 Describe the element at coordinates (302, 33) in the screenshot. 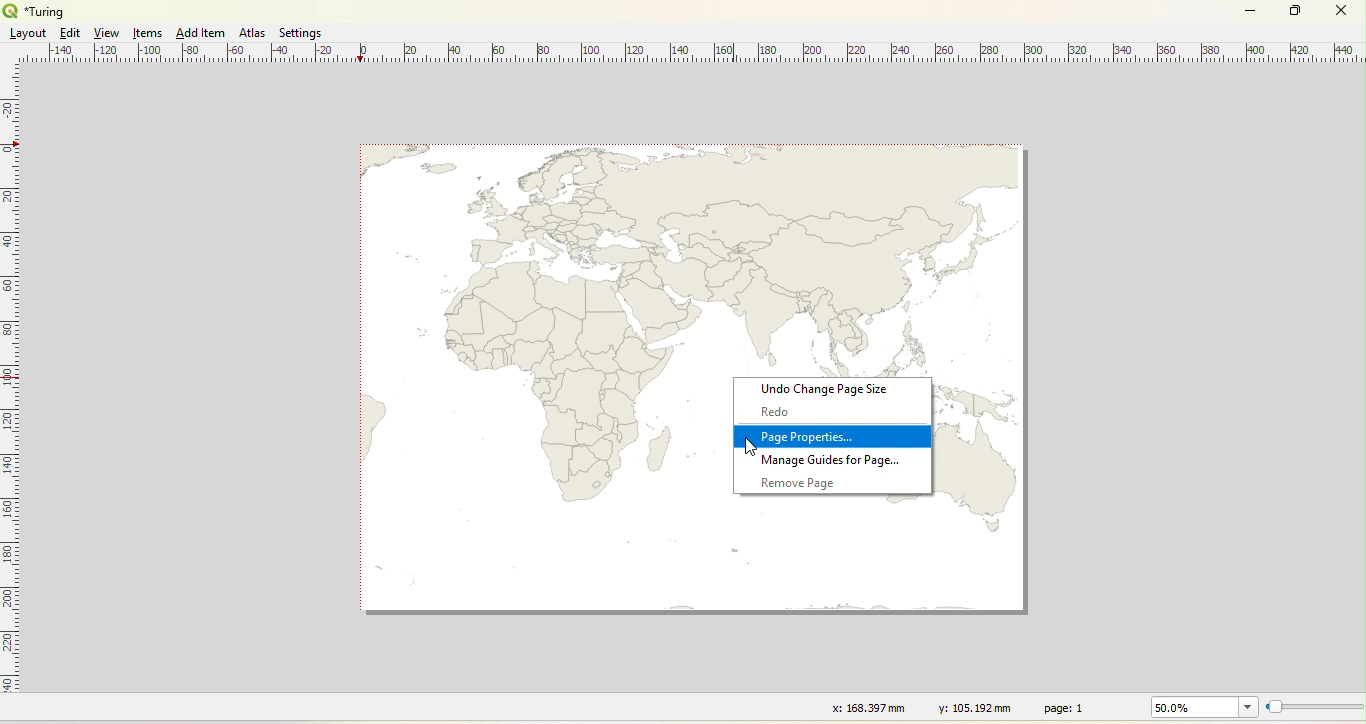

I see `Settings` at that location.